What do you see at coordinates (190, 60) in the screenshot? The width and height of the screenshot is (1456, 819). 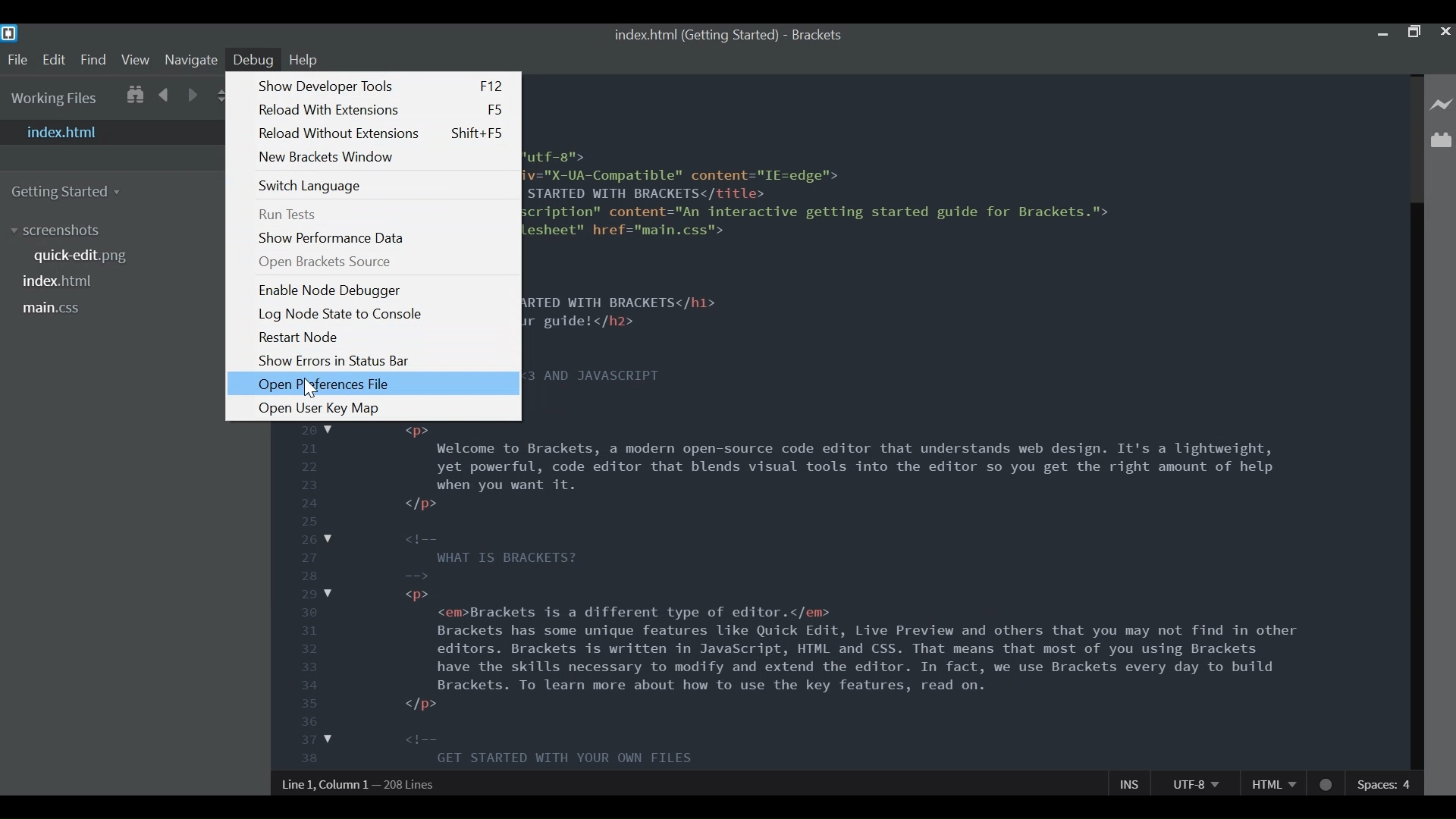 I see `Navigate` at bounding box center [190, 60].